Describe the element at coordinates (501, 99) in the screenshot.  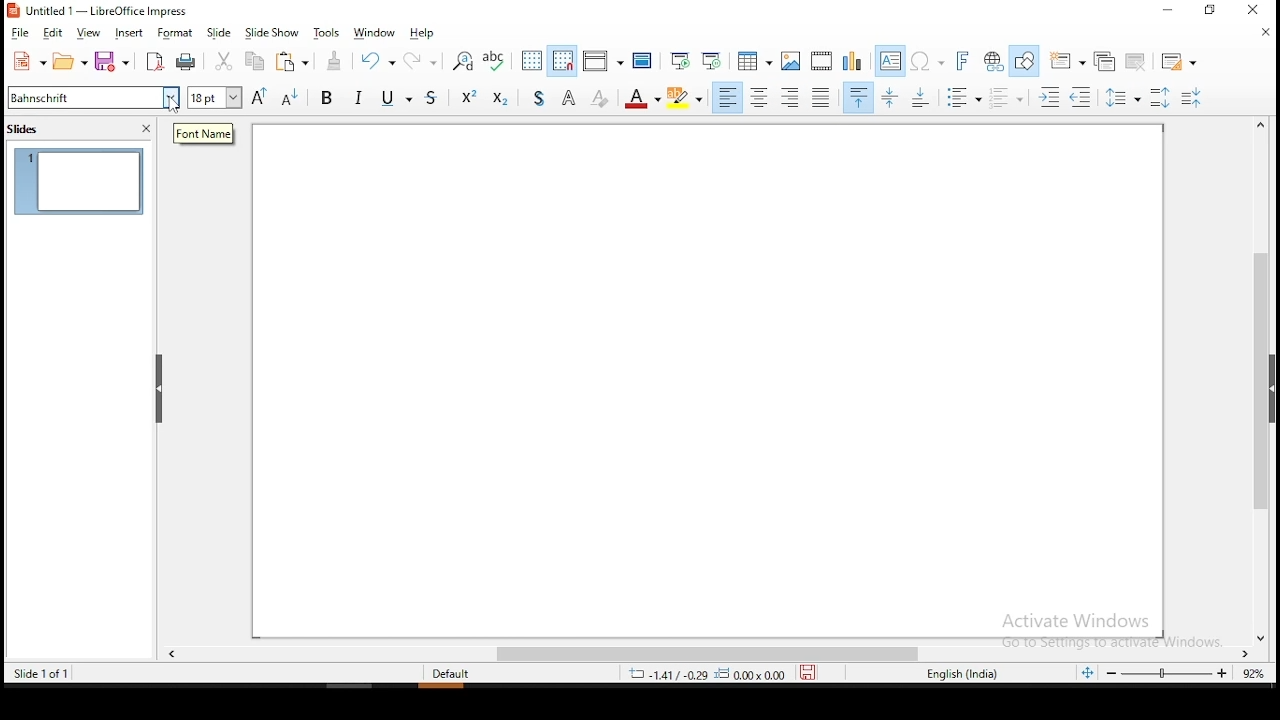
I see `subscript` at that location.